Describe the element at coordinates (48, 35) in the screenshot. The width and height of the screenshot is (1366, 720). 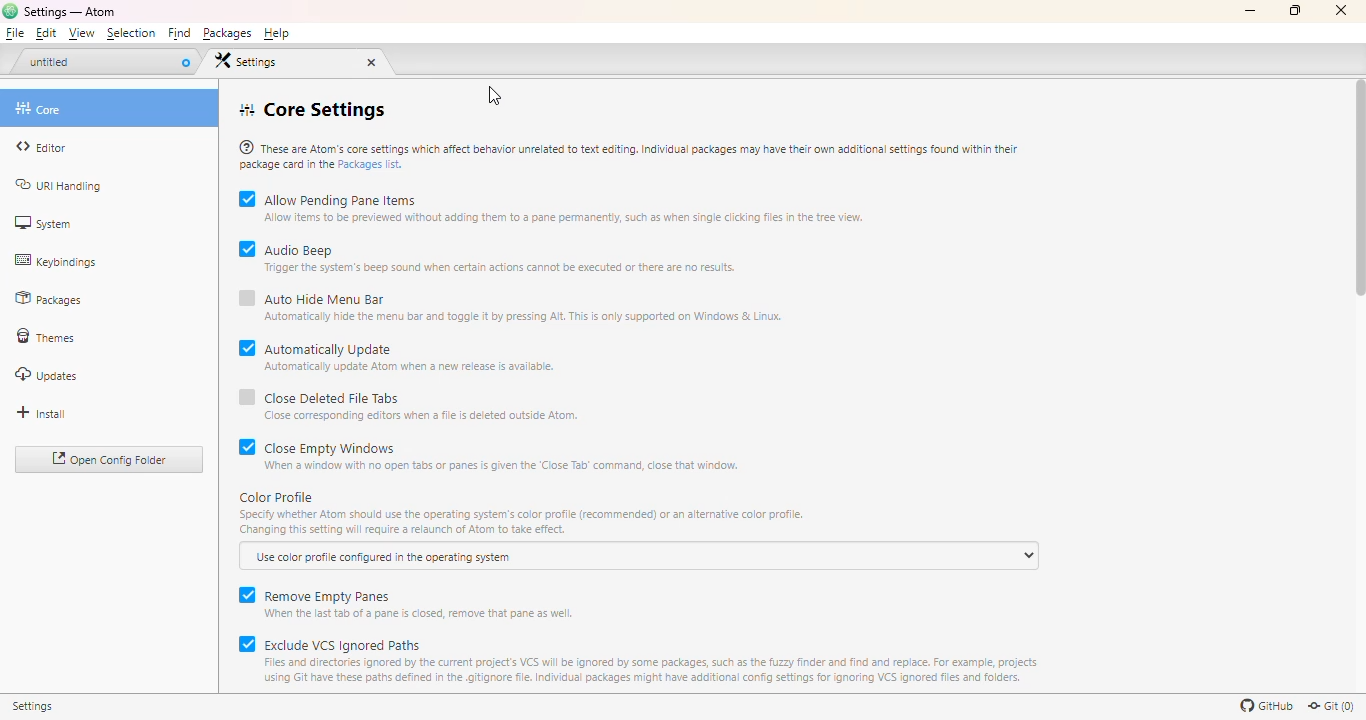
I see `Edit` at that location.